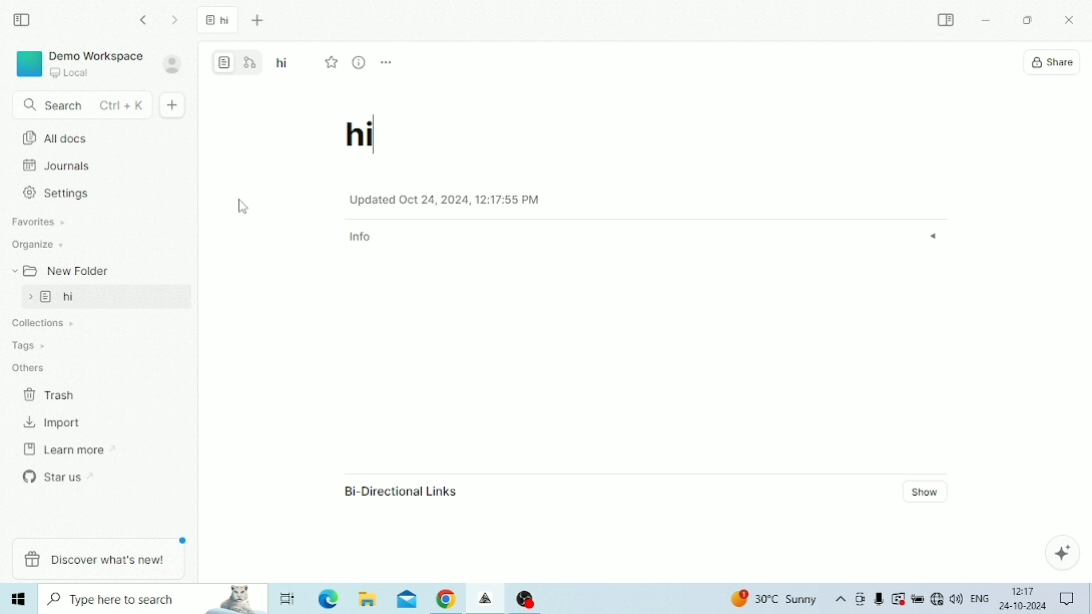 This screenshot has width=1092, height=614. I want to click on Journals, so click(57, 165).